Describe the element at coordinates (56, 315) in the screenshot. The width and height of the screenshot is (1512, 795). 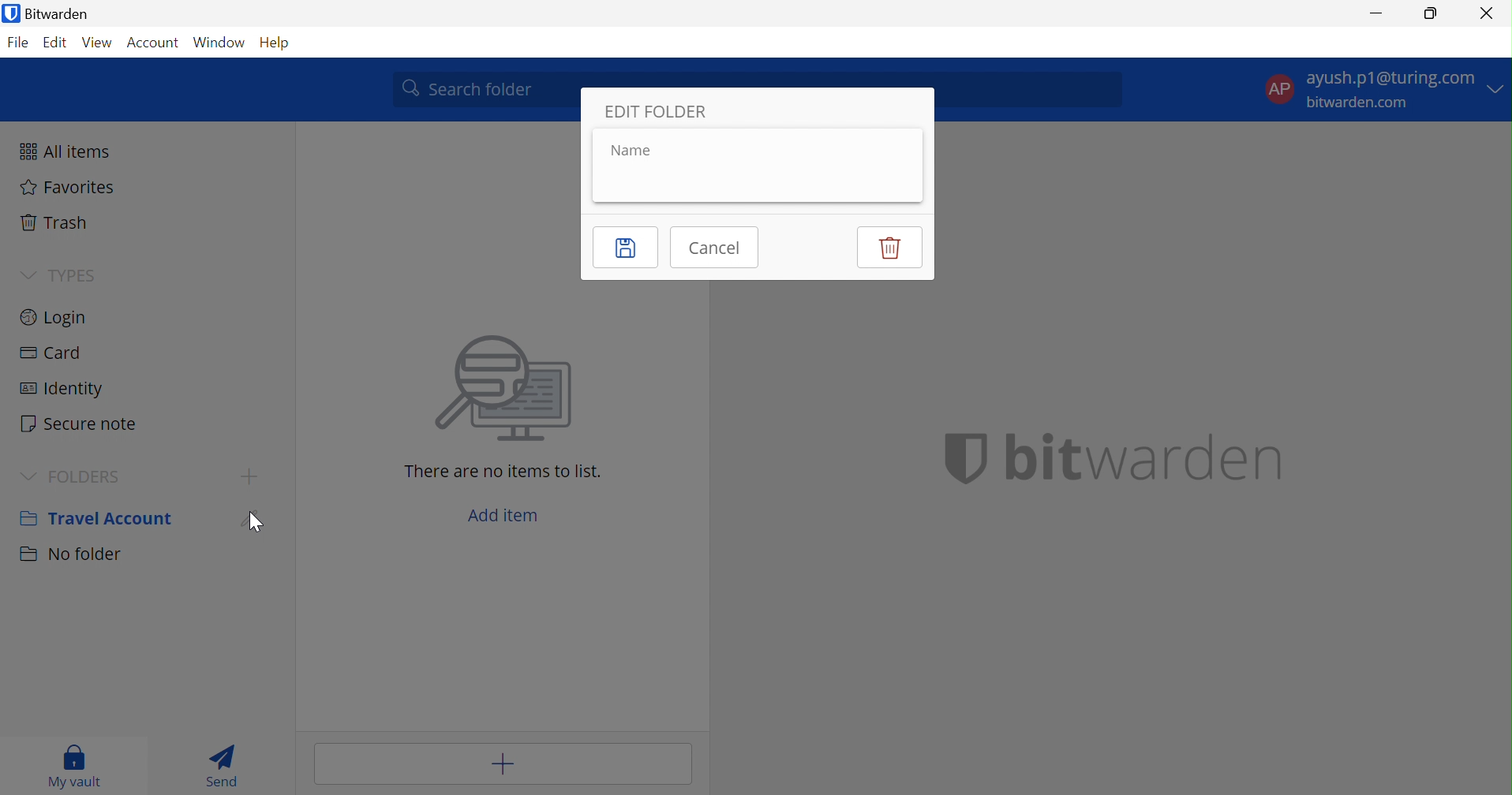
I see `Login` at that location.